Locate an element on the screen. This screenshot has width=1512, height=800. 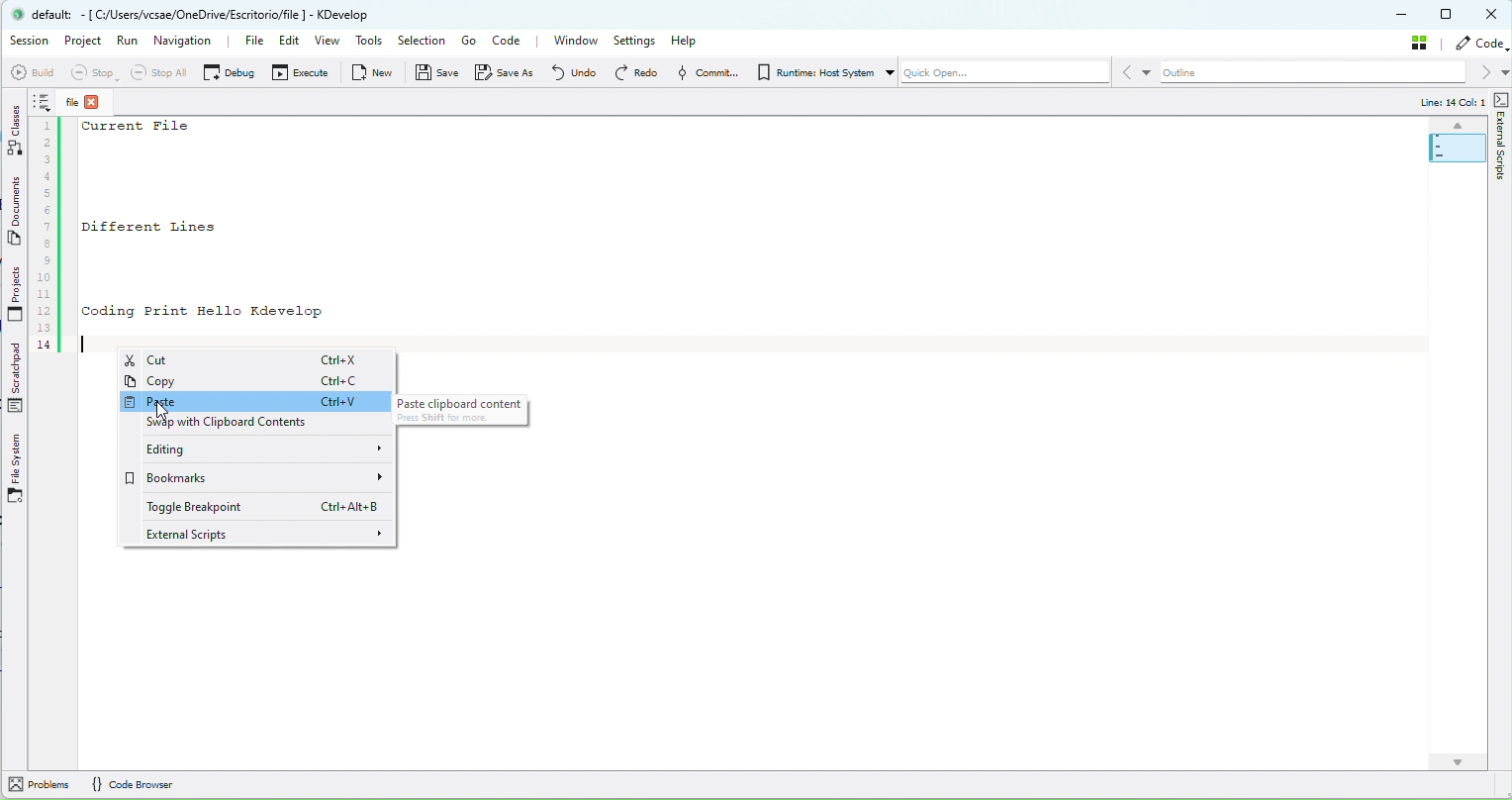
Swap with Clipboard Contents is located at coordinates (246, 420).